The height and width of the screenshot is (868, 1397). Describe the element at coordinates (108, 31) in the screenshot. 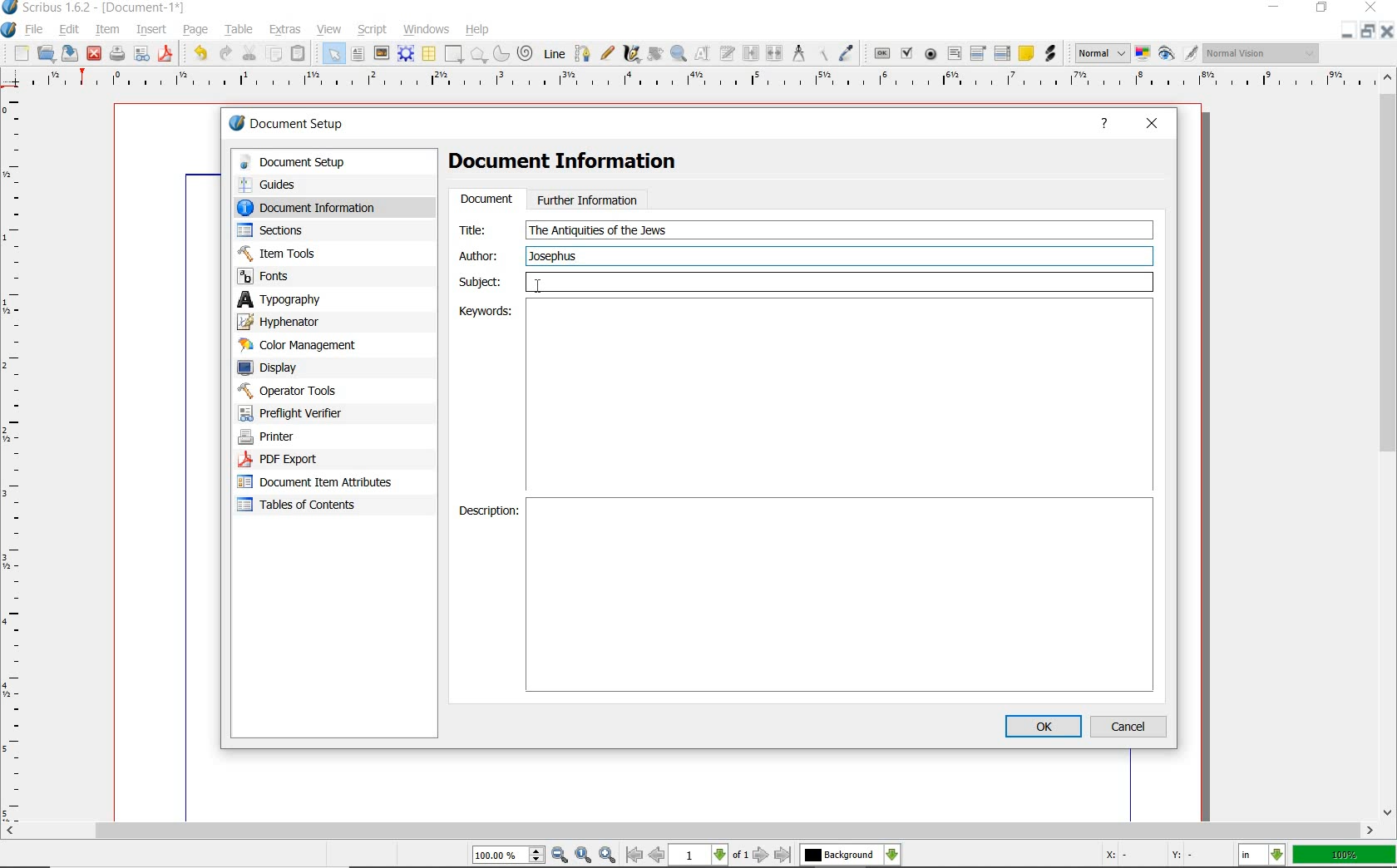

I see `item` at that location.